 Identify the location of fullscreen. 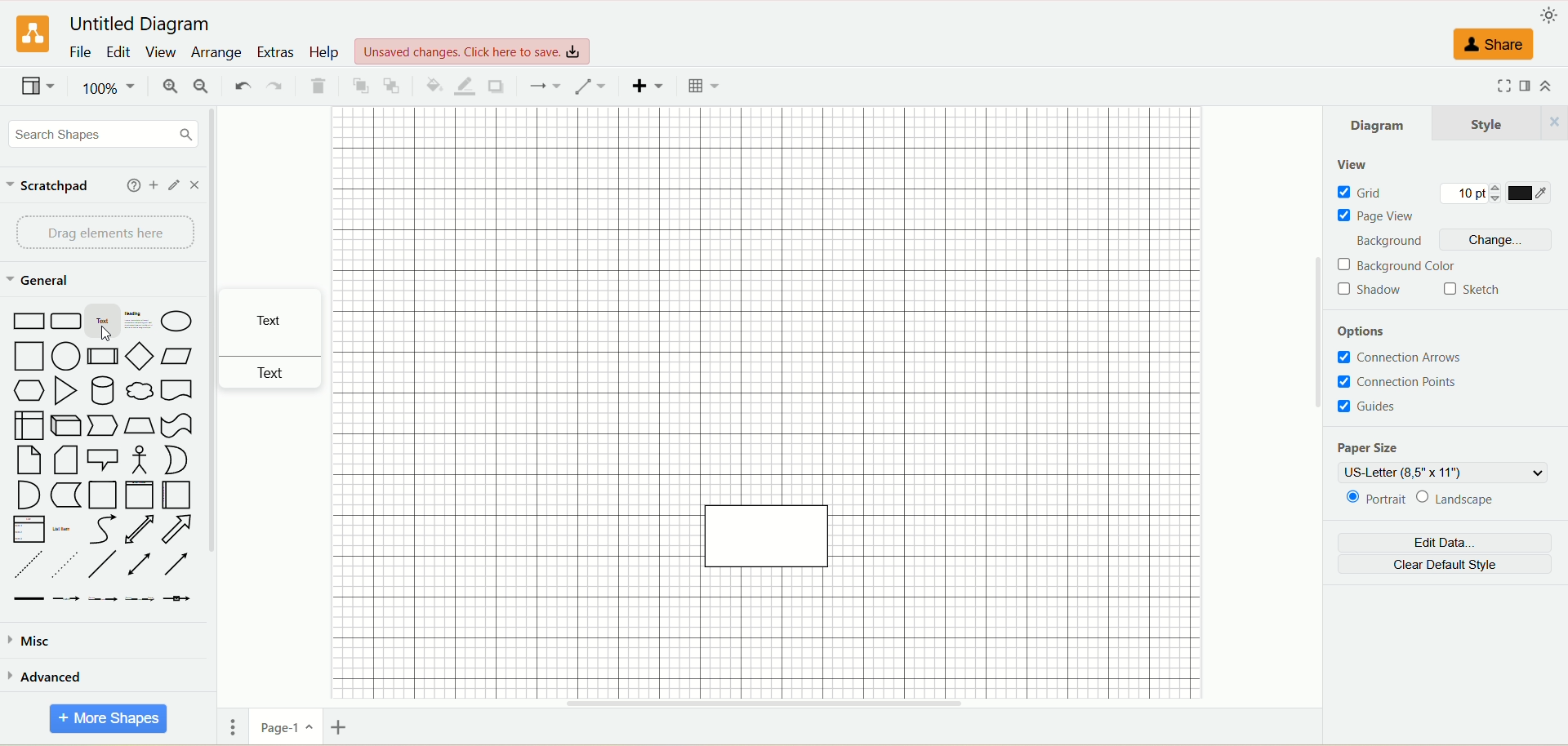
(1489, 87).